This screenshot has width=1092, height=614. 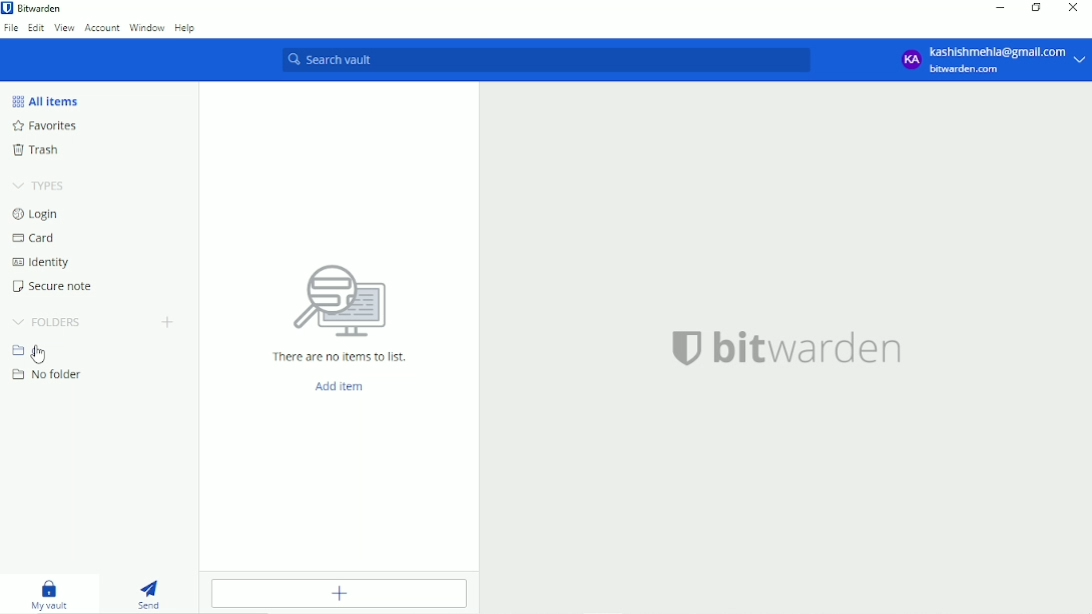 What do you see at coordinates (46, 322) in the screenshot?
I see `Folders` at bounding box center [46, 322].